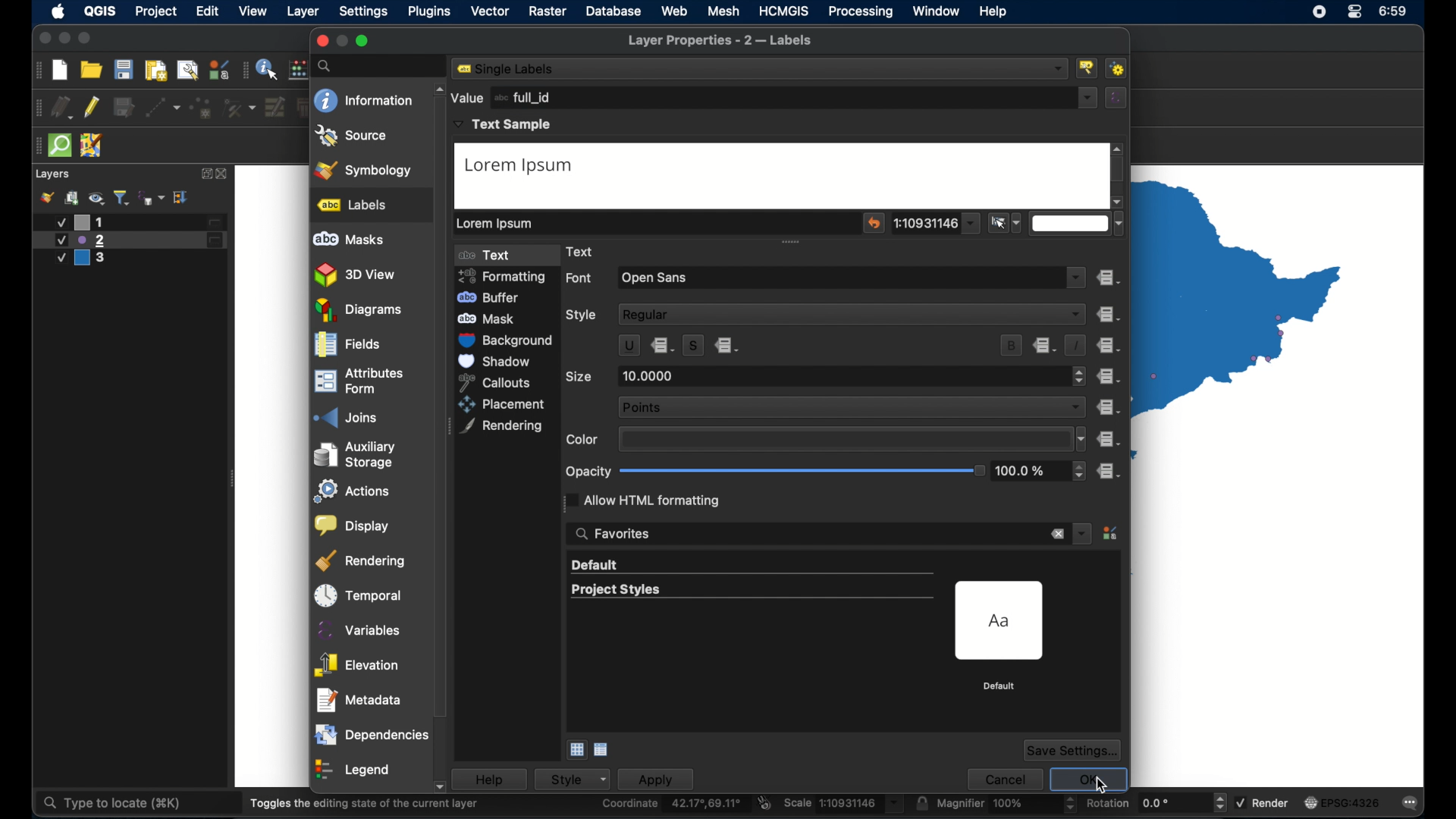  I want to click on digitize  with segment, so click(163, 108).